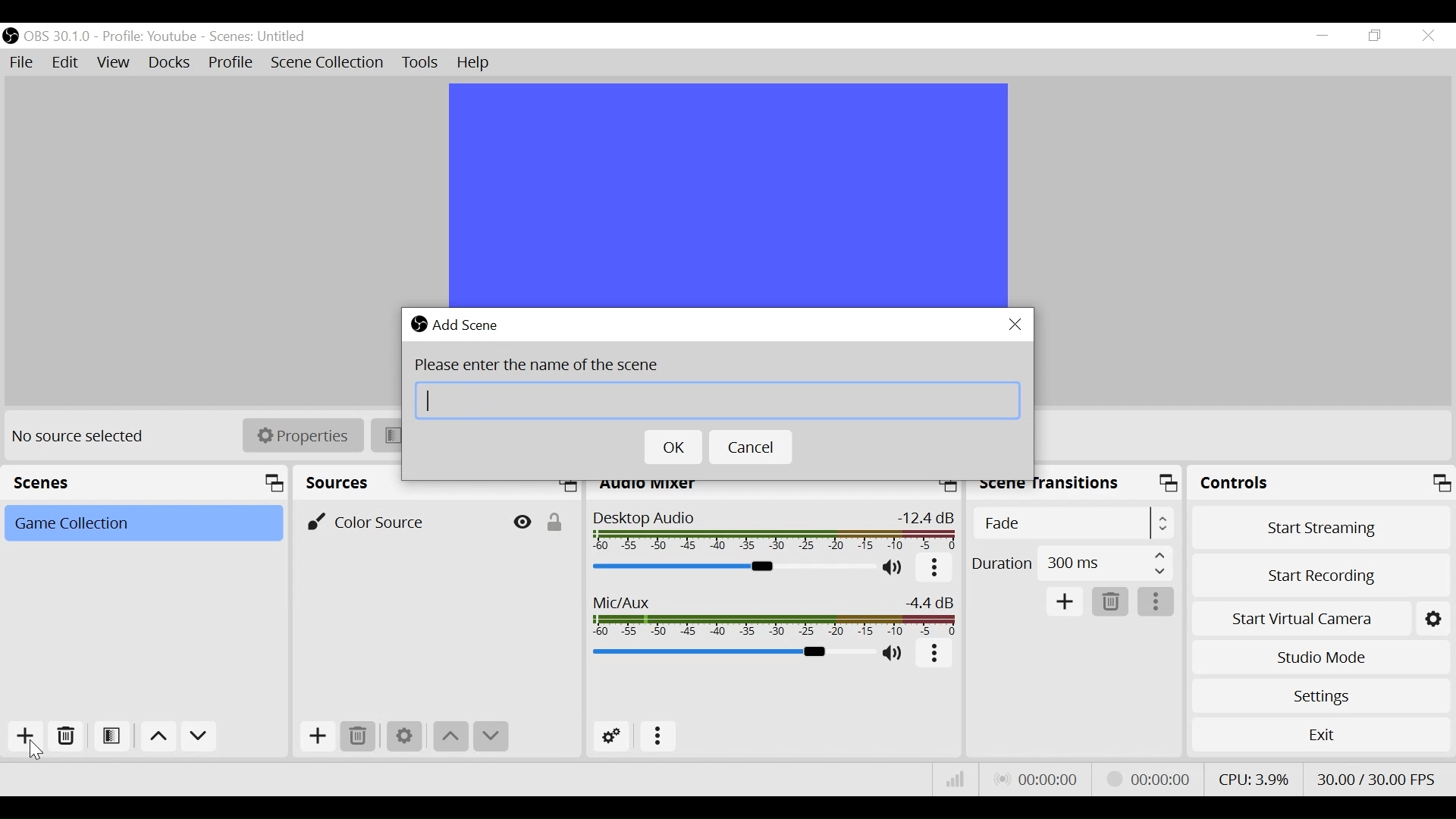 This screenshot has width=1456, height=819. What do you see at coordinates (67, 63) in the screenshot?
I see `Edit` at bounding box center [67, 63].